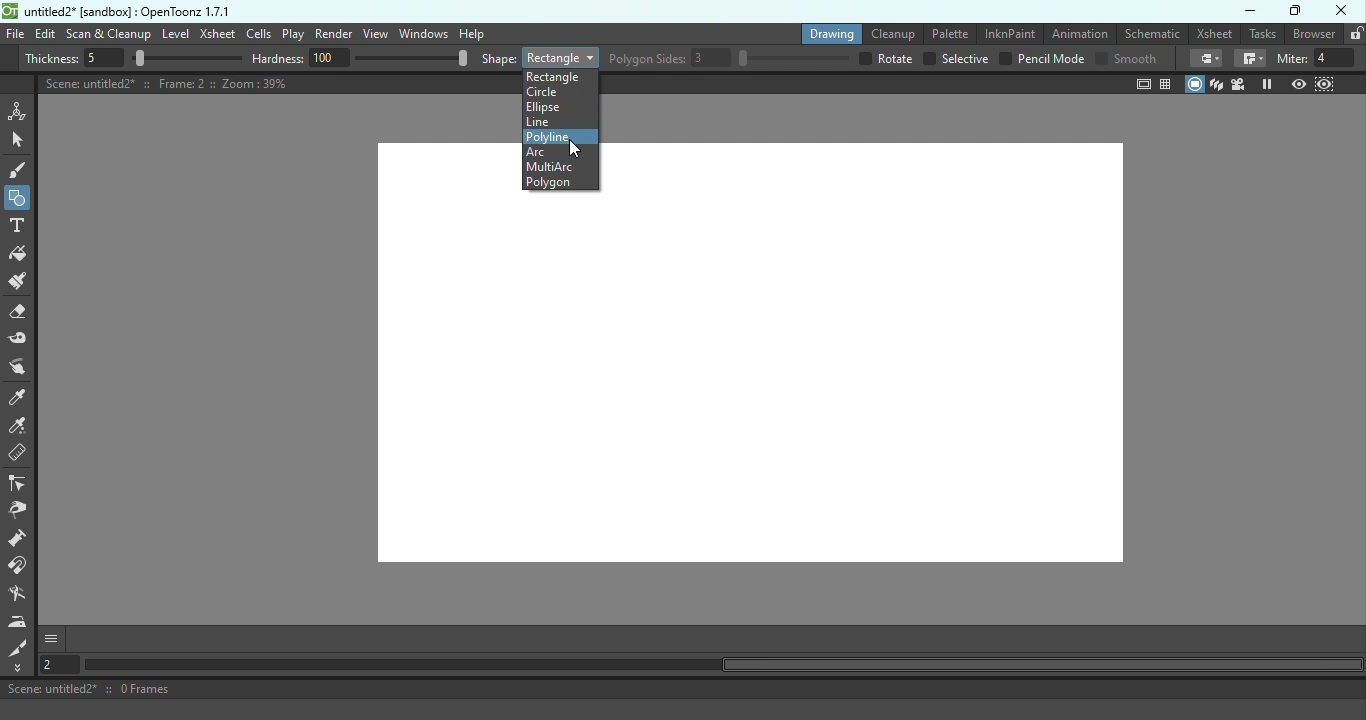 The height and width of the screenshot is (720, 1366). Describe the element at coordinates (20, 398) in the screenshot. I see `Style picker tool` at that location.